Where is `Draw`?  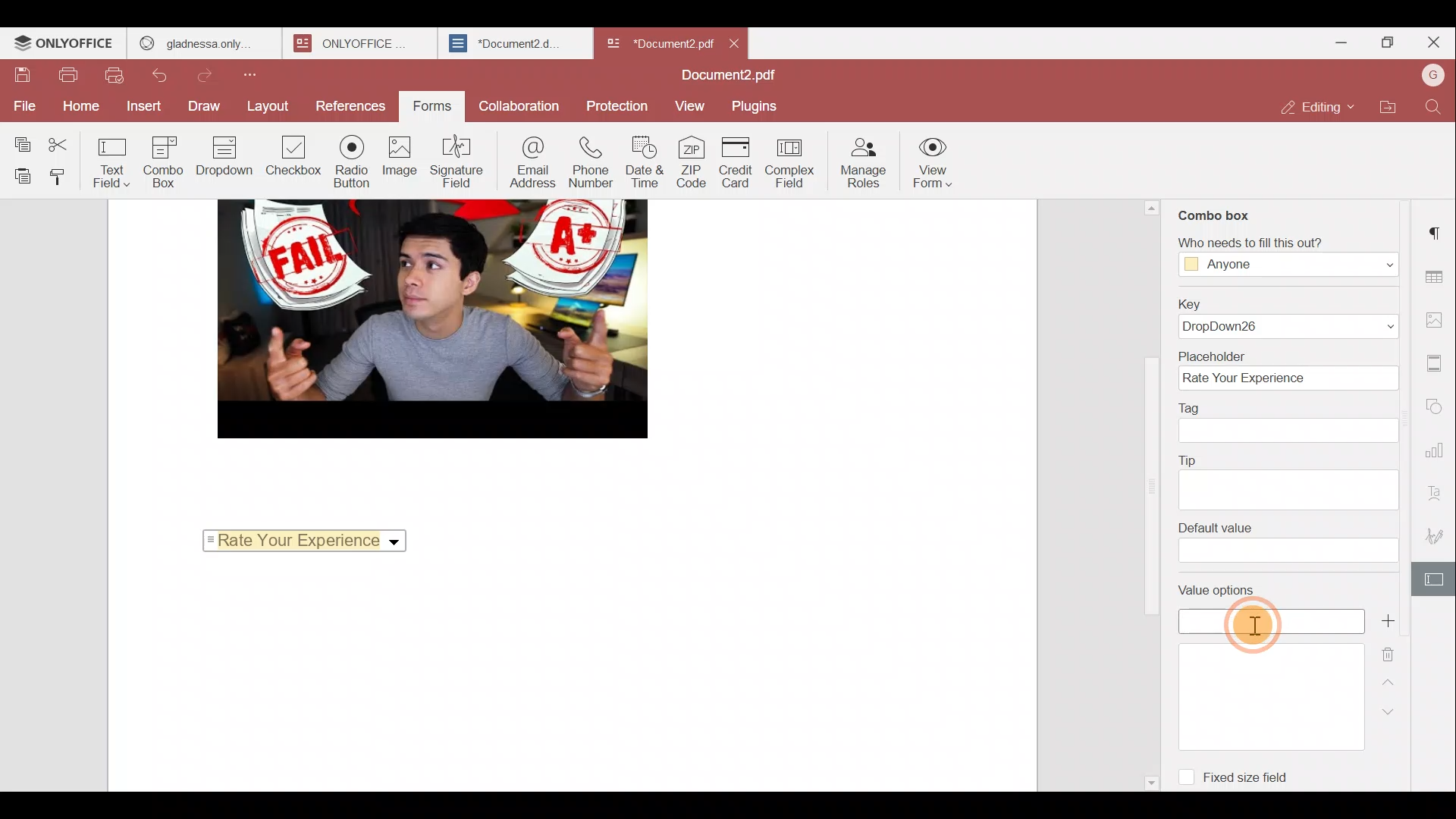
Draw is located at coordinates (206, 107).